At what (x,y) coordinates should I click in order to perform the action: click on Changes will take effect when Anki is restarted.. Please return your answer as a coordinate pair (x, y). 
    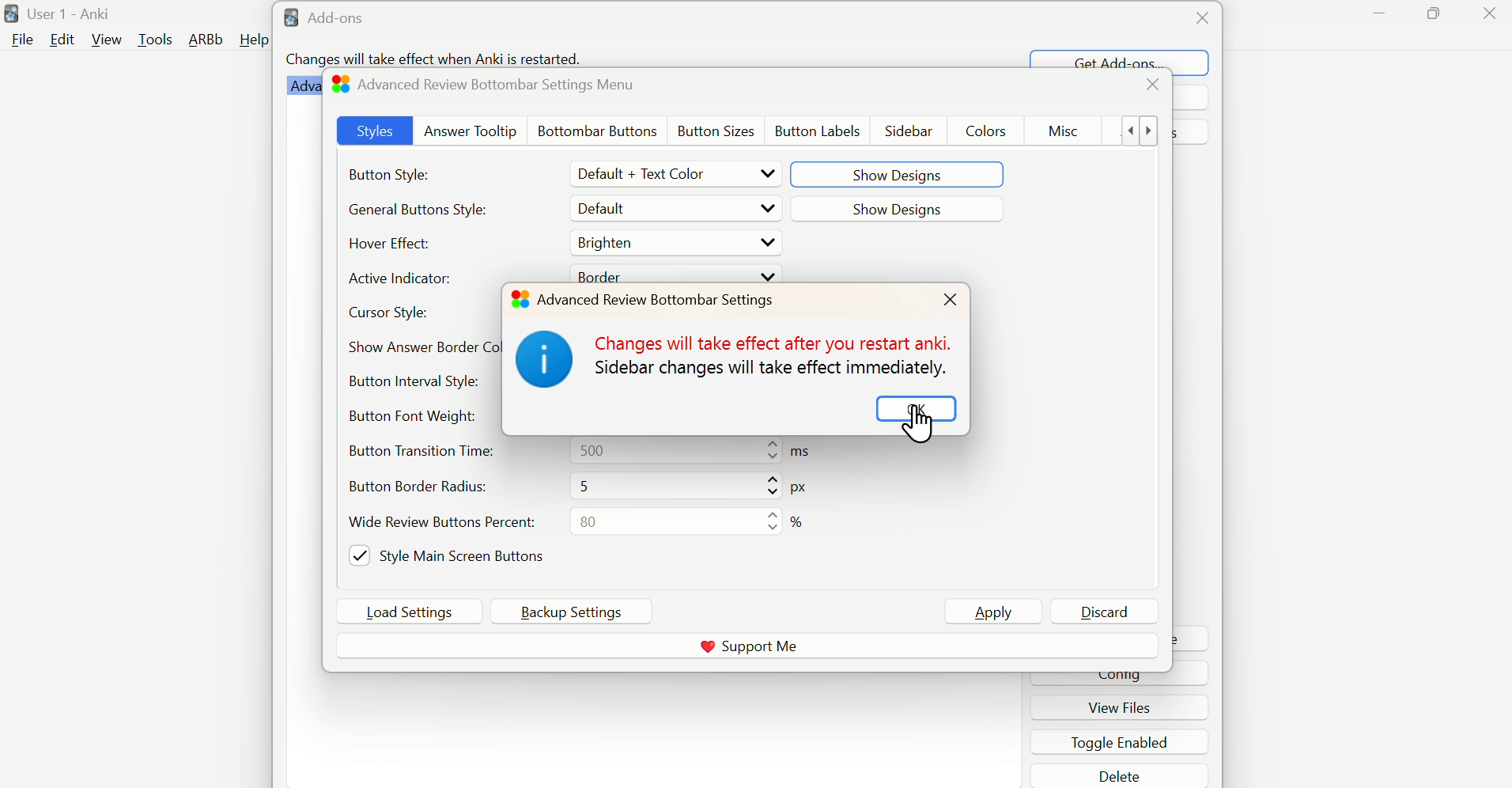
    Looking at the image, I should click on (435, 58).